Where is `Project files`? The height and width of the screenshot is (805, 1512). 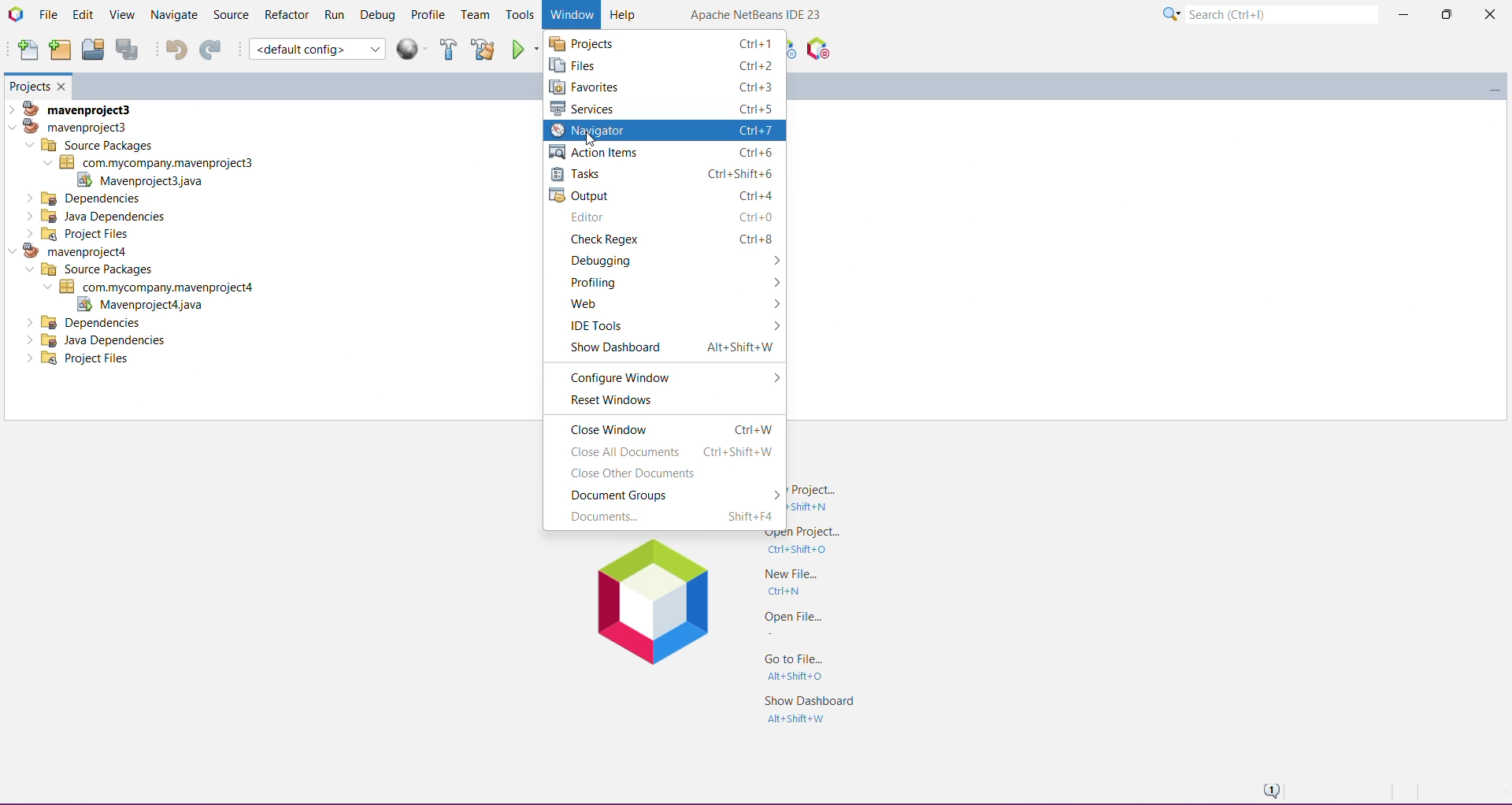
Project files is located at coordinates (79, 233).